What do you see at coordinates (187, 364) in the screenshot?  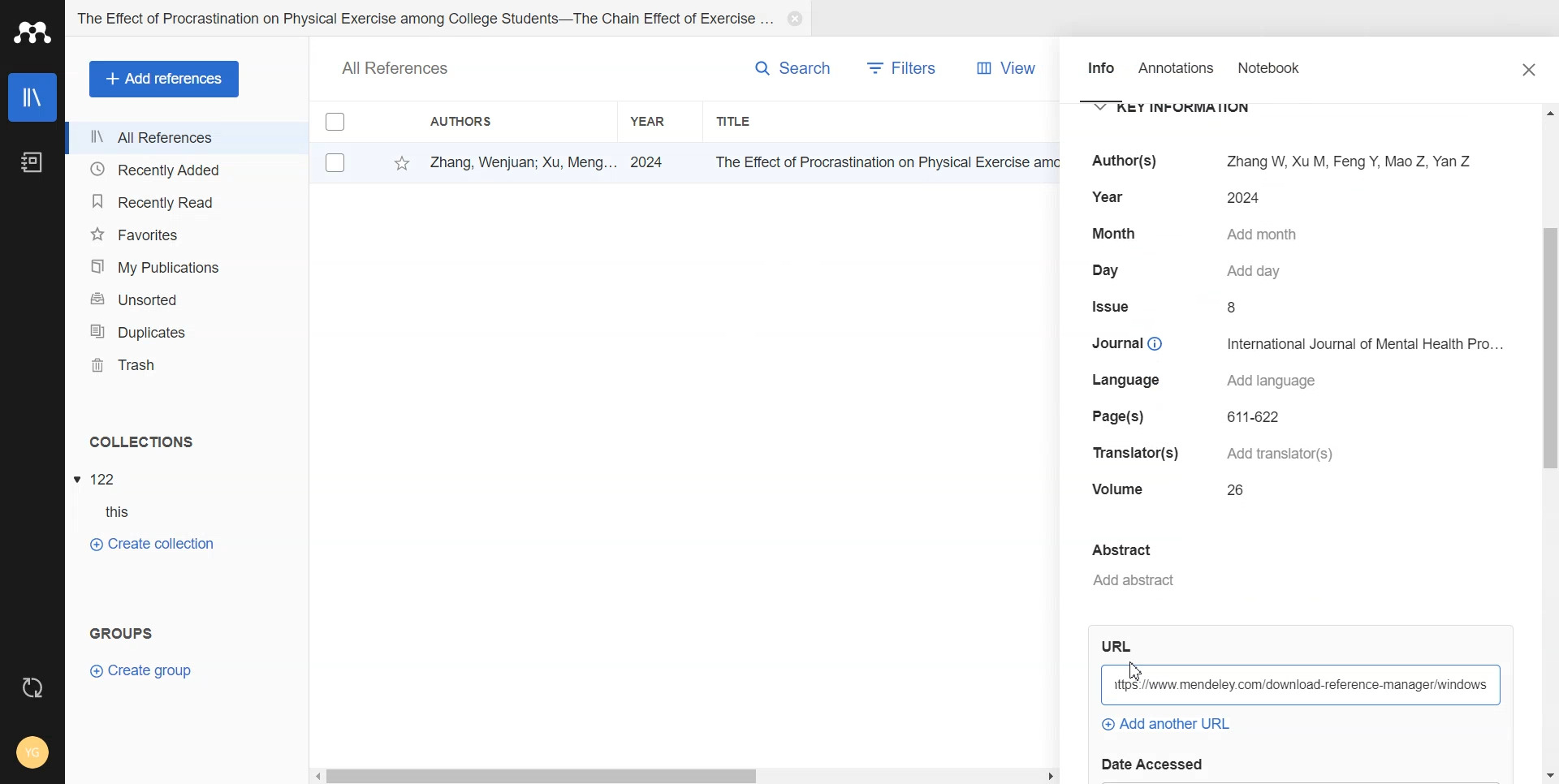 I see `Trash` at bounding box center [187, 364].